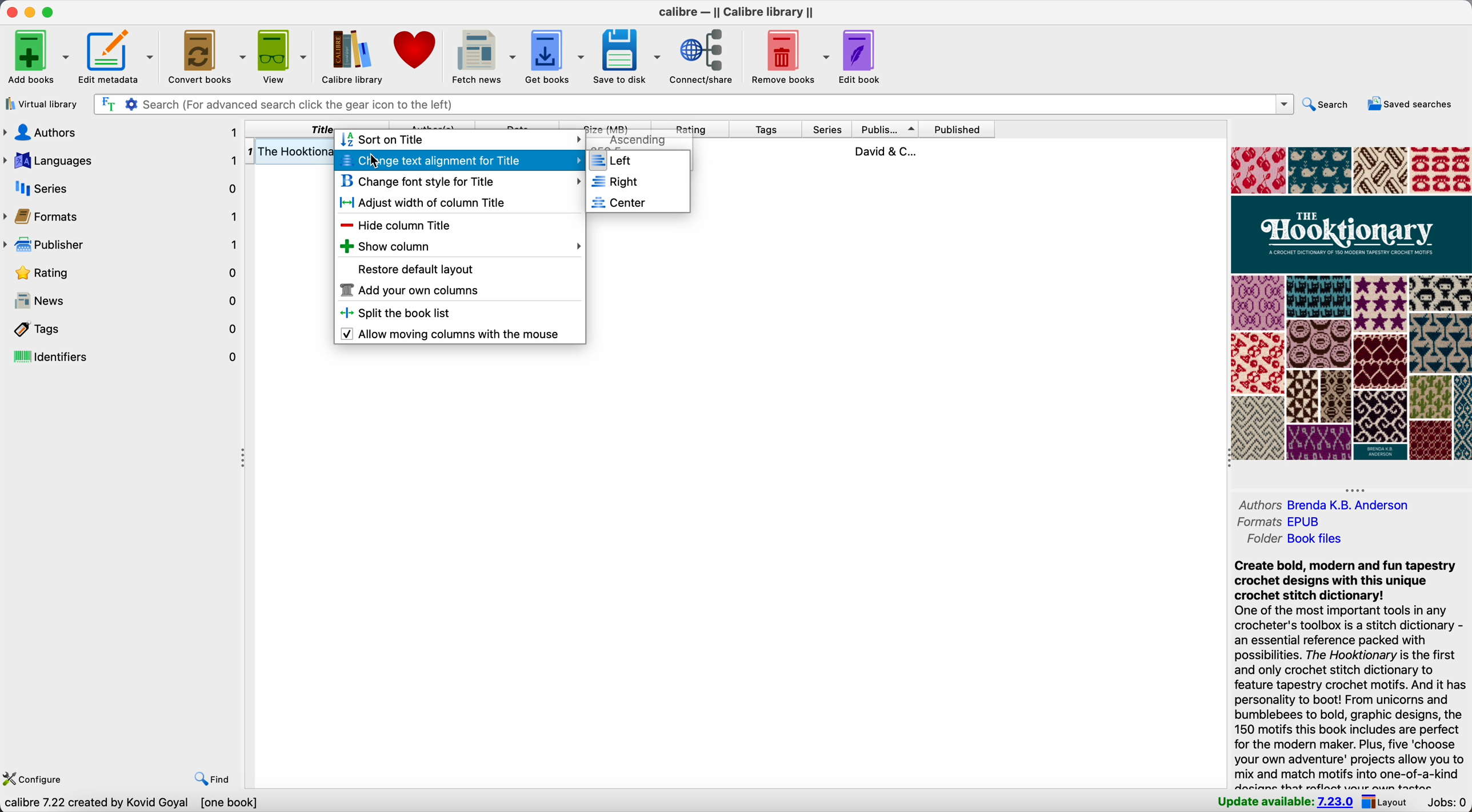 The height and width of the screenshot is (812, 1472). I want to click on add books, so click(37, 56).